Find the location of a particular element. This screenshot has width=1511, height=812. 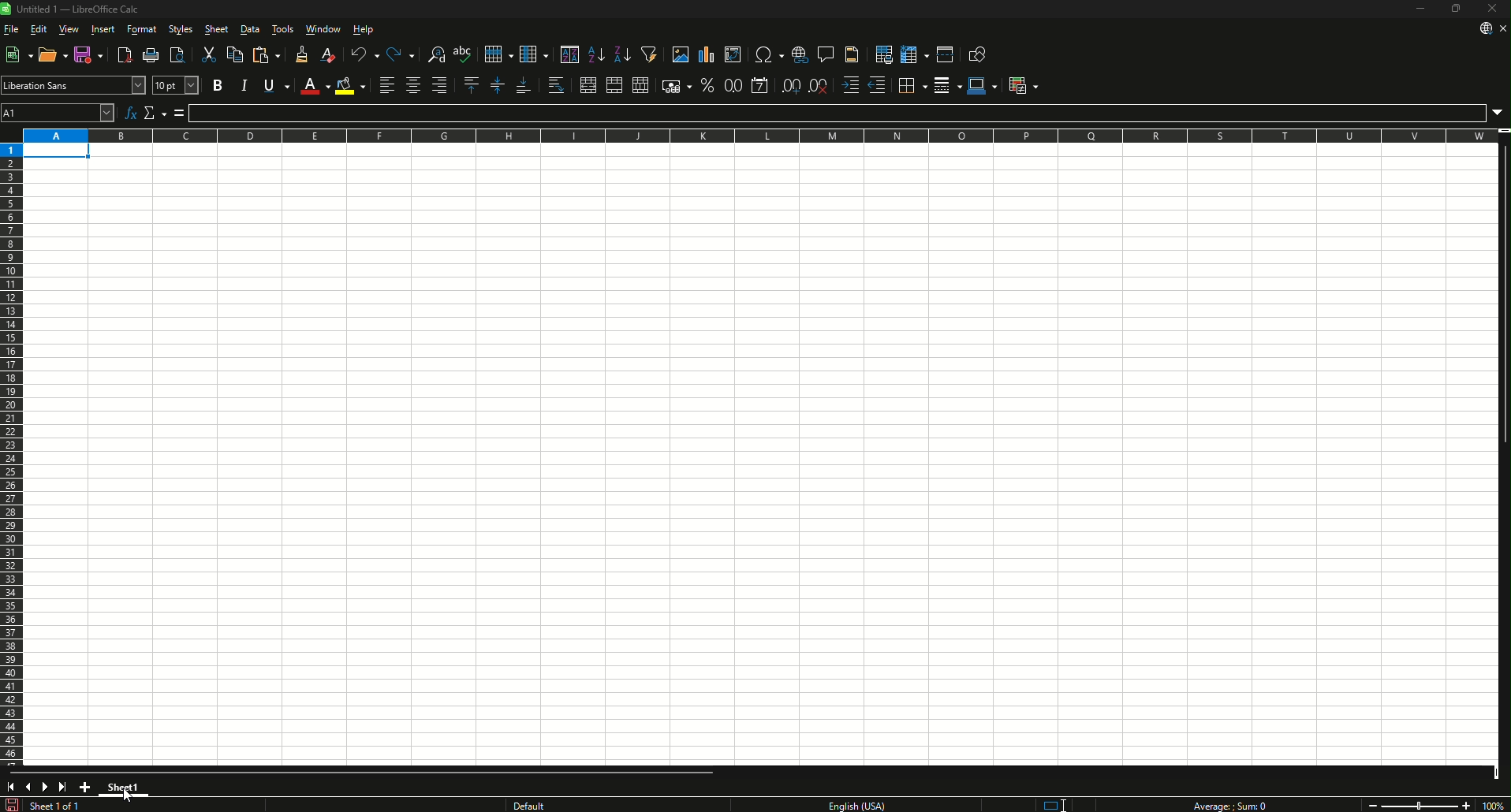

Cursor is located at coordinates (128, 794).